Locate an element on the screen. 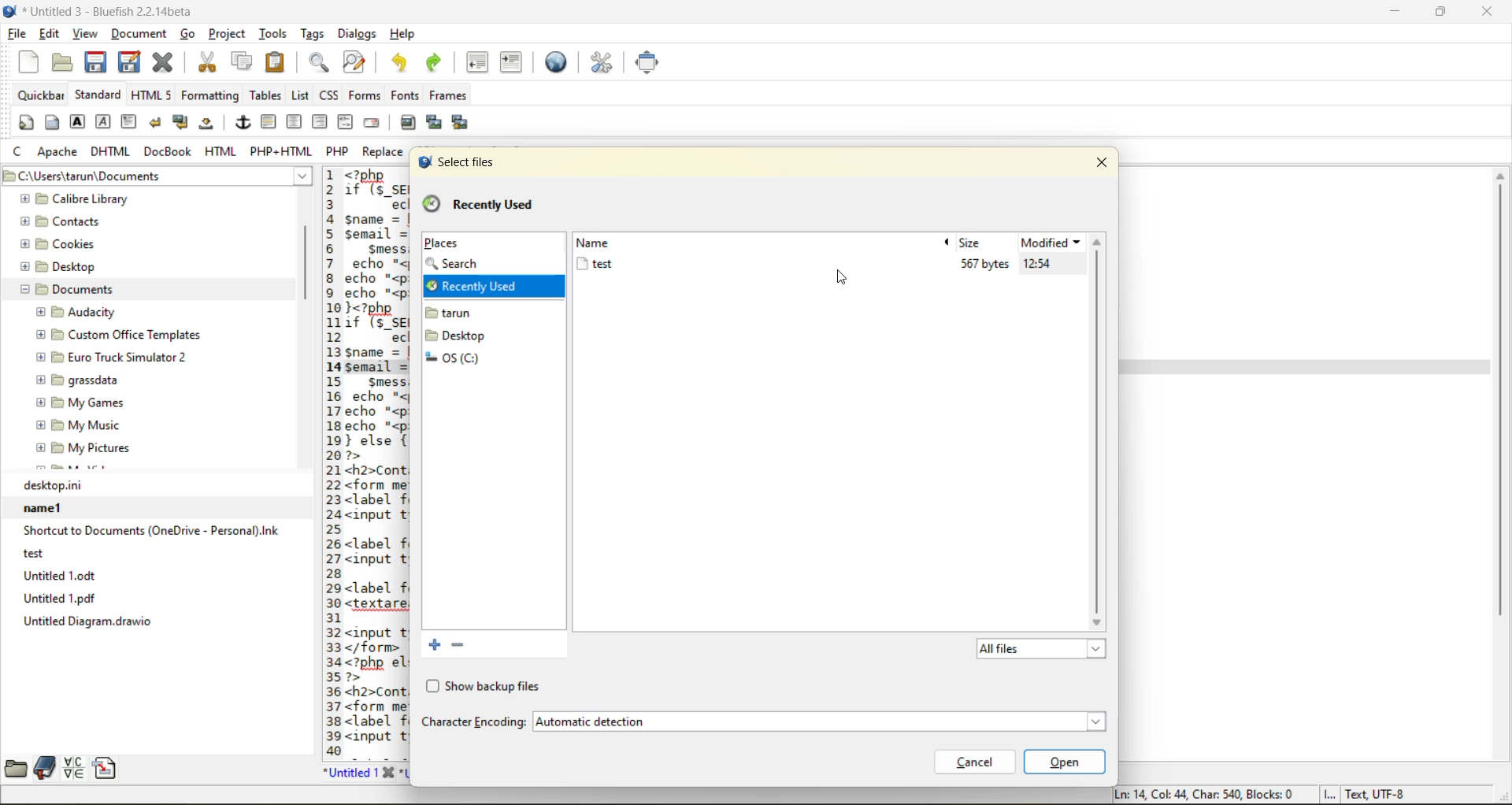 This screenshot has height=805, width=1512. find and replace is located at coordinates (354, 64).